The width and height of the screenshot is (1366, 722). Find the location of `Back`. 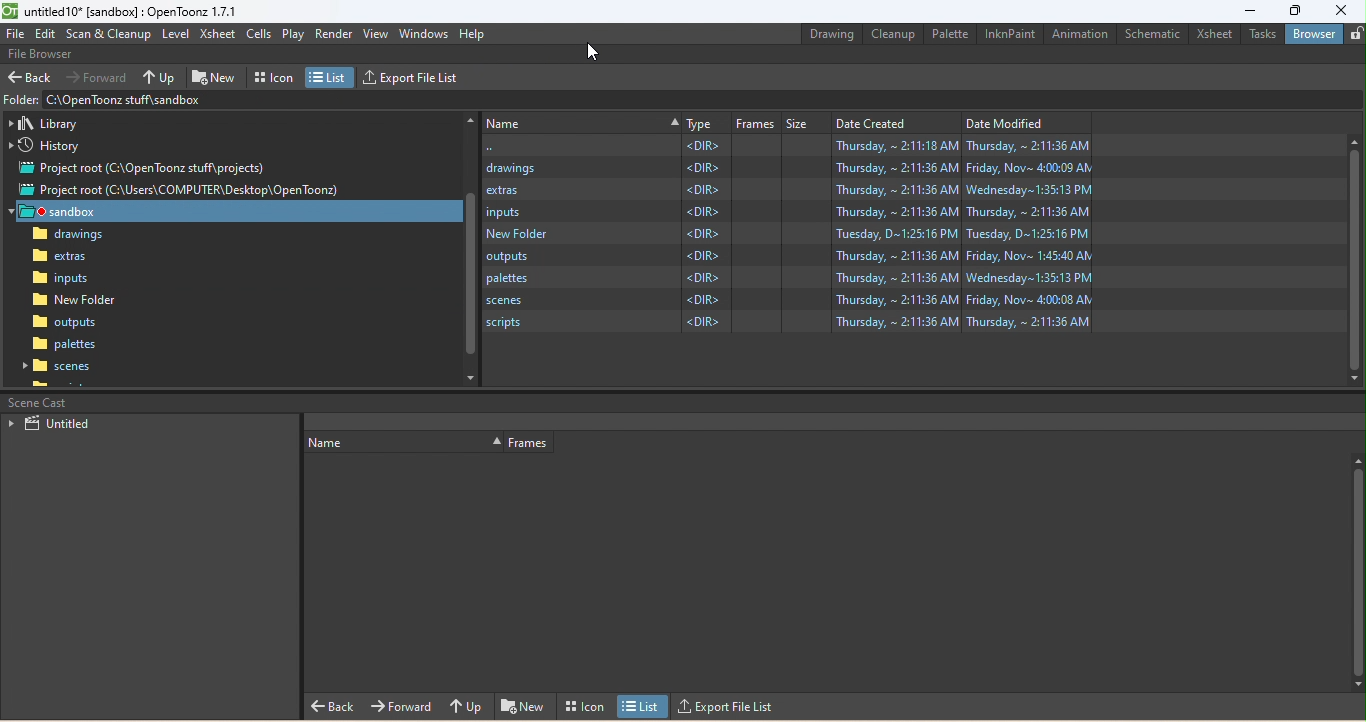

Back is located at coordinates (333, 706).